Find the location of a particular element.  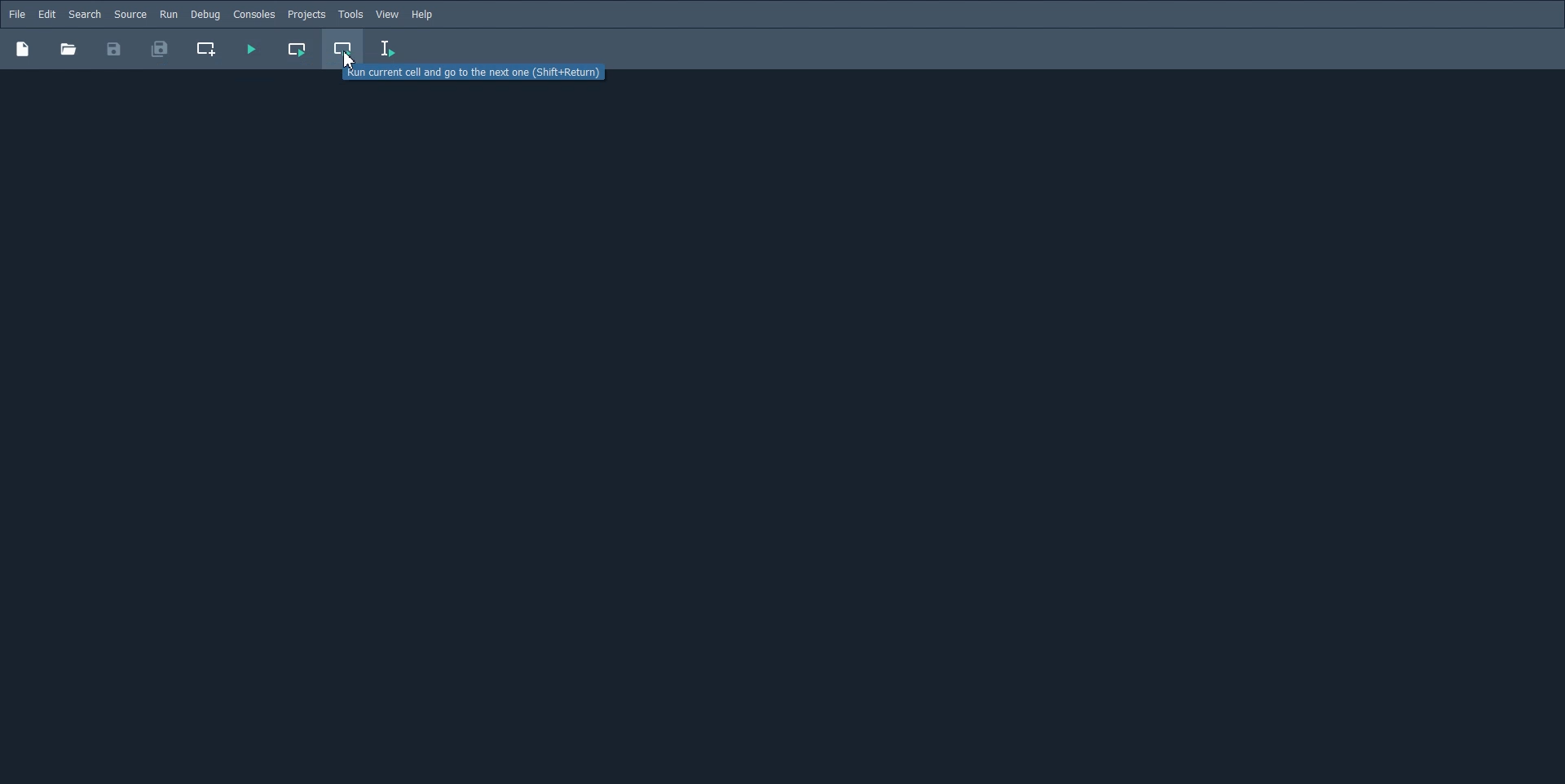

Run Current cell is located at coordinates (296, 49).